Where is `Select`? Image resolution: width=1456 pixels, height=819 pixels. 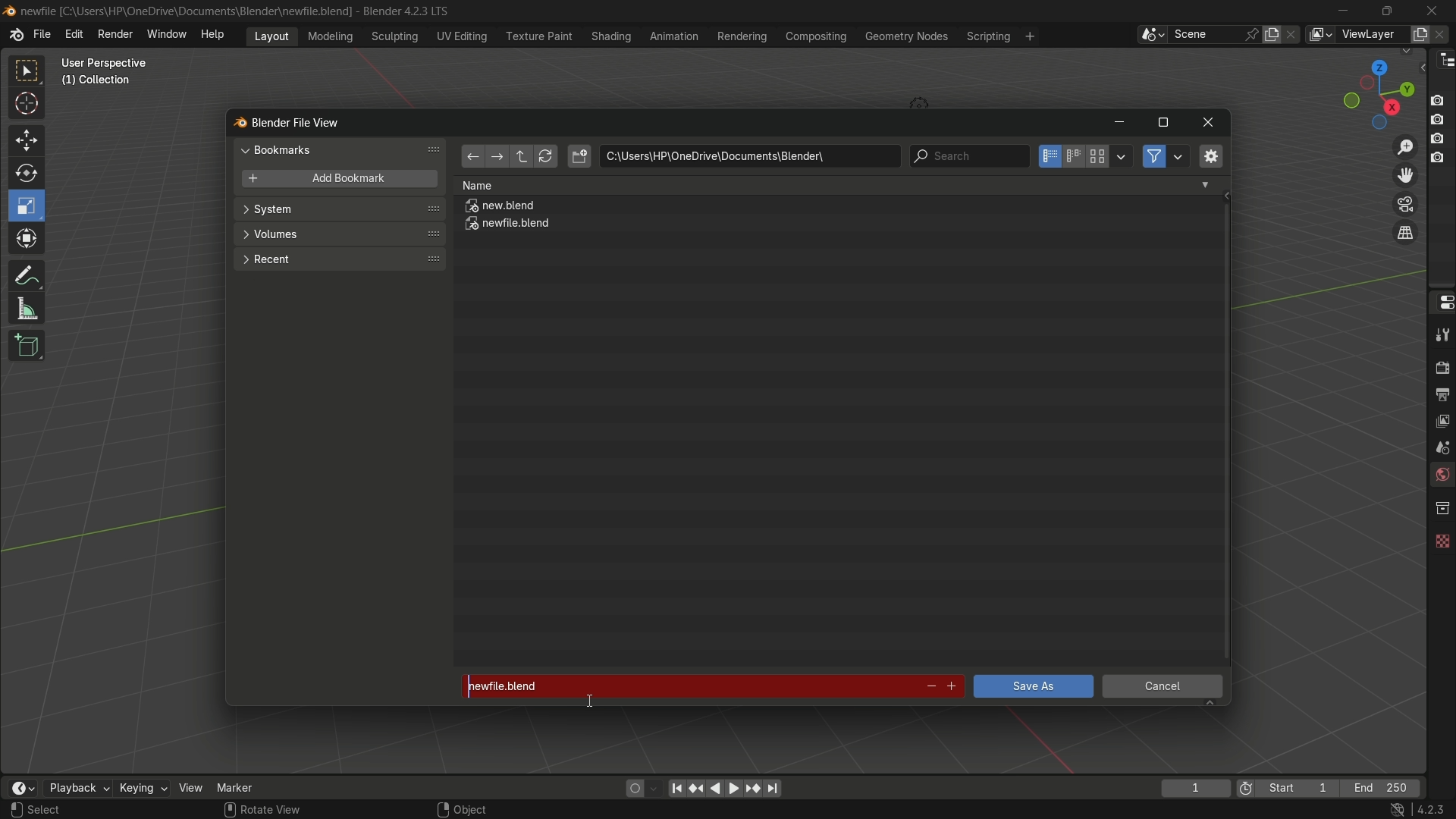 Select is located at coordinates (63, 810).